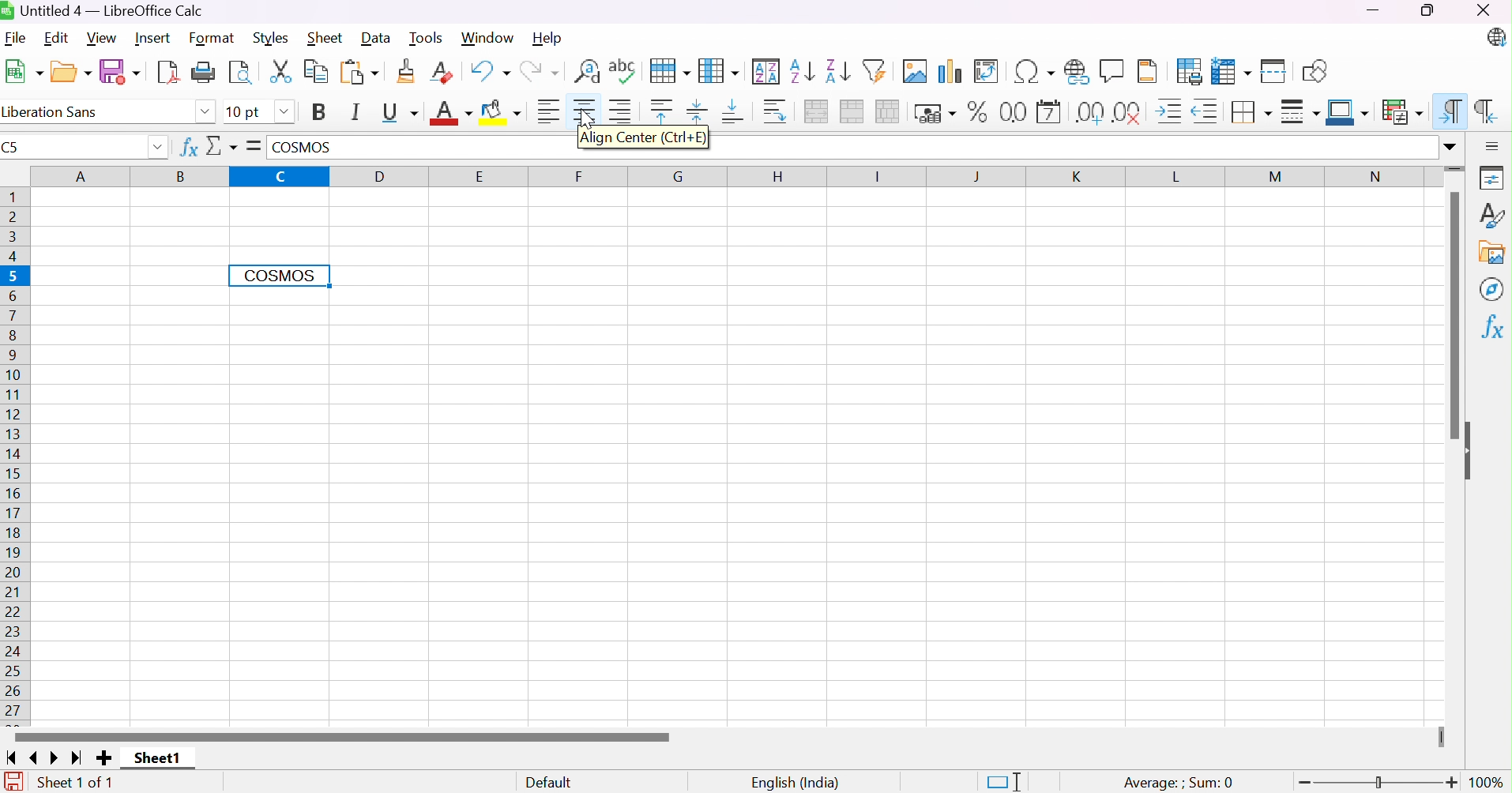  What do you see at coordinates (720, 71) in the screenshot?
I see `Column` at bounding box center [720, 71].